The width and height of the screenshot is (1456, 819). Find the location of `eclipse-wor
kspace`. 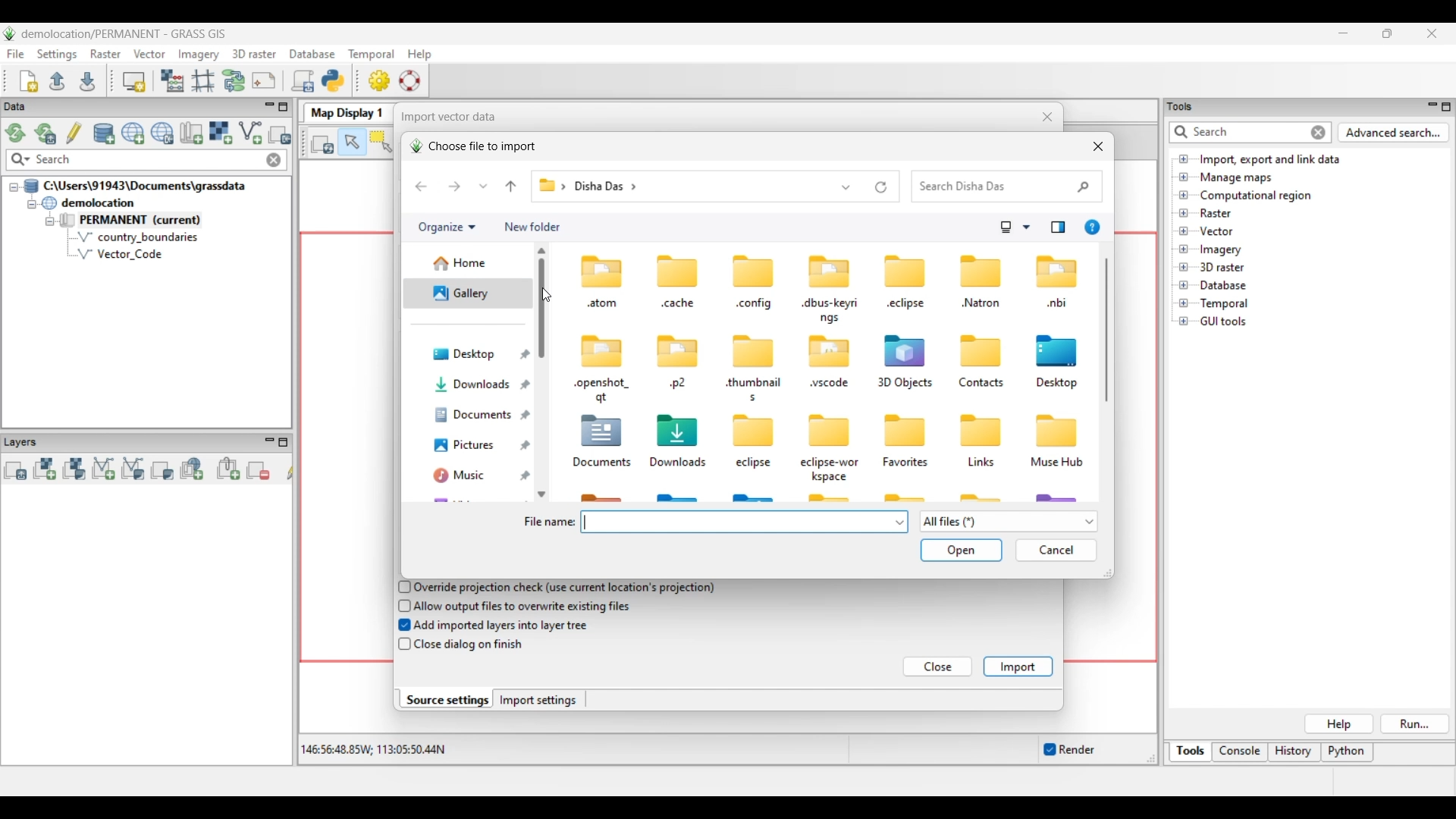

eclipse-wor
kspace is located at coordinates (831, 469).